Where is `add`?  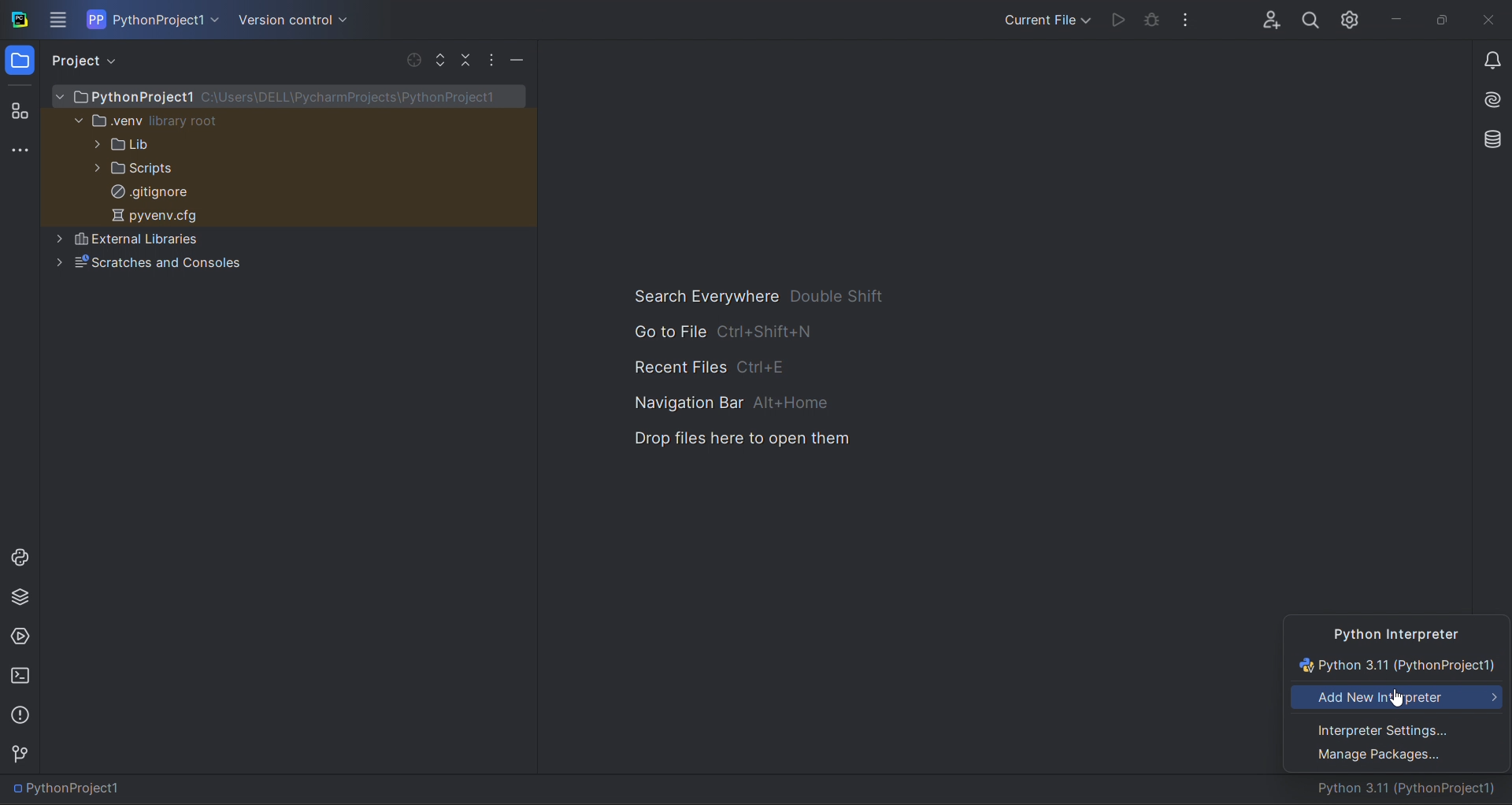 add is located at coordinates (1399, 699).